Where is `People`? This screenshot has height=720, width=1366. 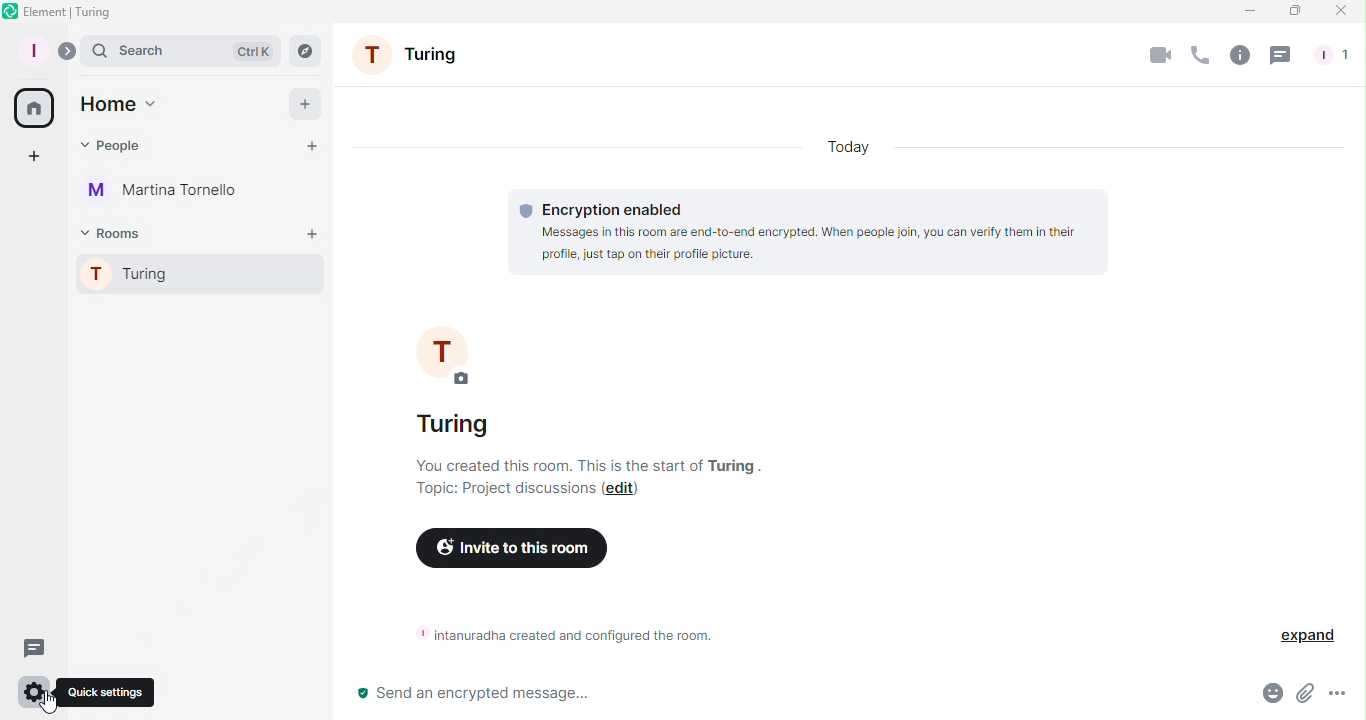 People is located at coordinates (1328, 57).